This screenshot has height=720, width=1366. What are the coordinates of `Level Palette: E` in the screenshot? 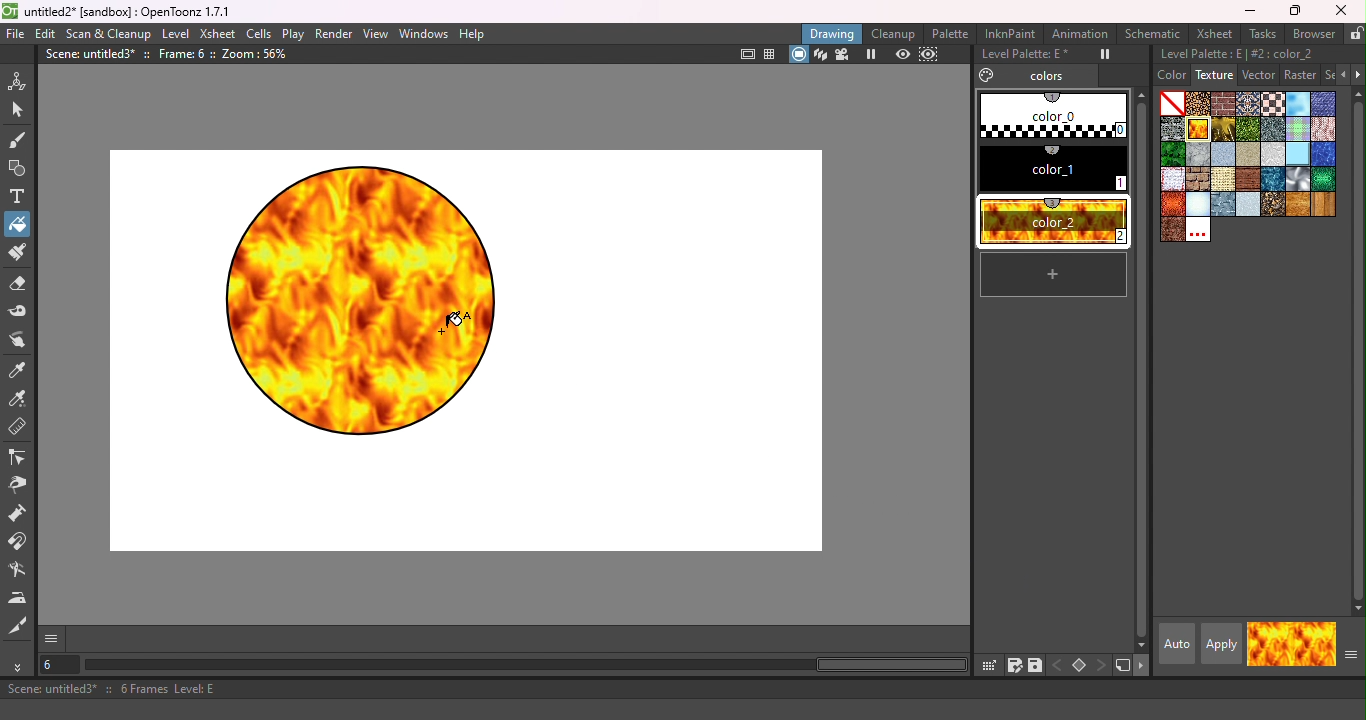 It's located at (1021, 55).